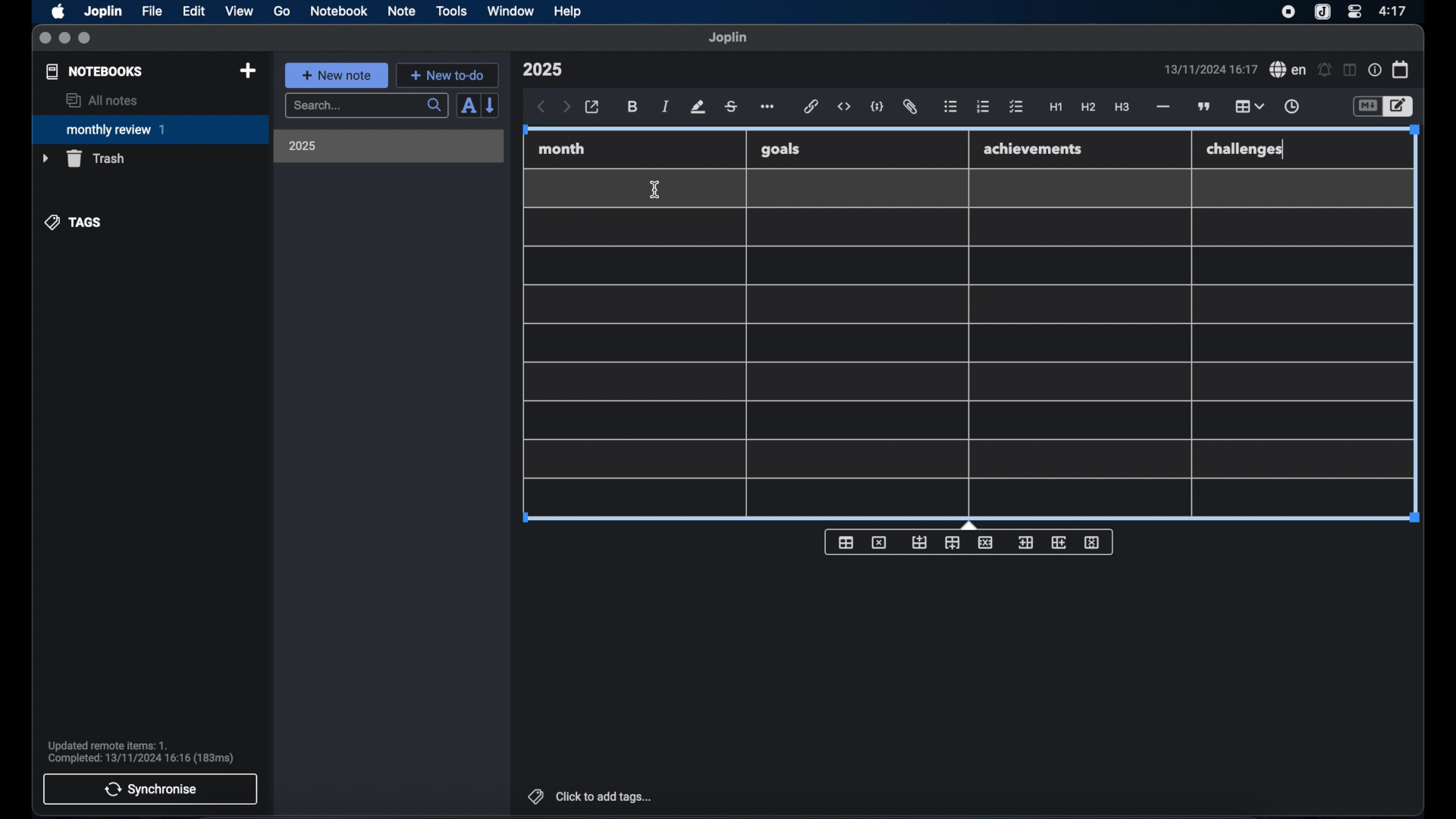 The width and height of the screenshot is (1456, 819). What do you see at coordinates (698, 107) in the screenshot?
I see `highlight` at bounding box center [698, 107].